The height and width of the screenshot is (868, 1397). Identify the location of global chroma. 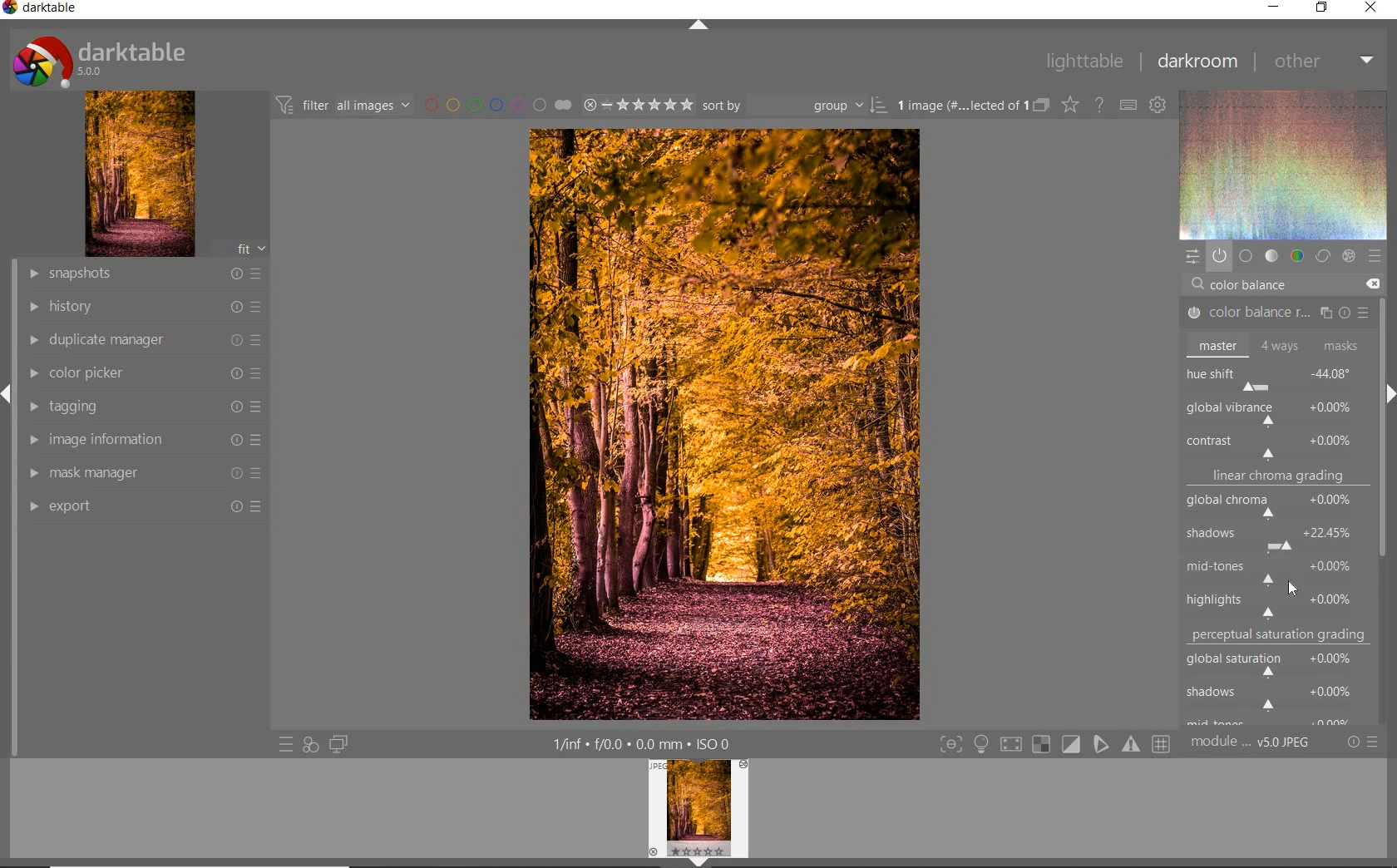
(1279, 508).